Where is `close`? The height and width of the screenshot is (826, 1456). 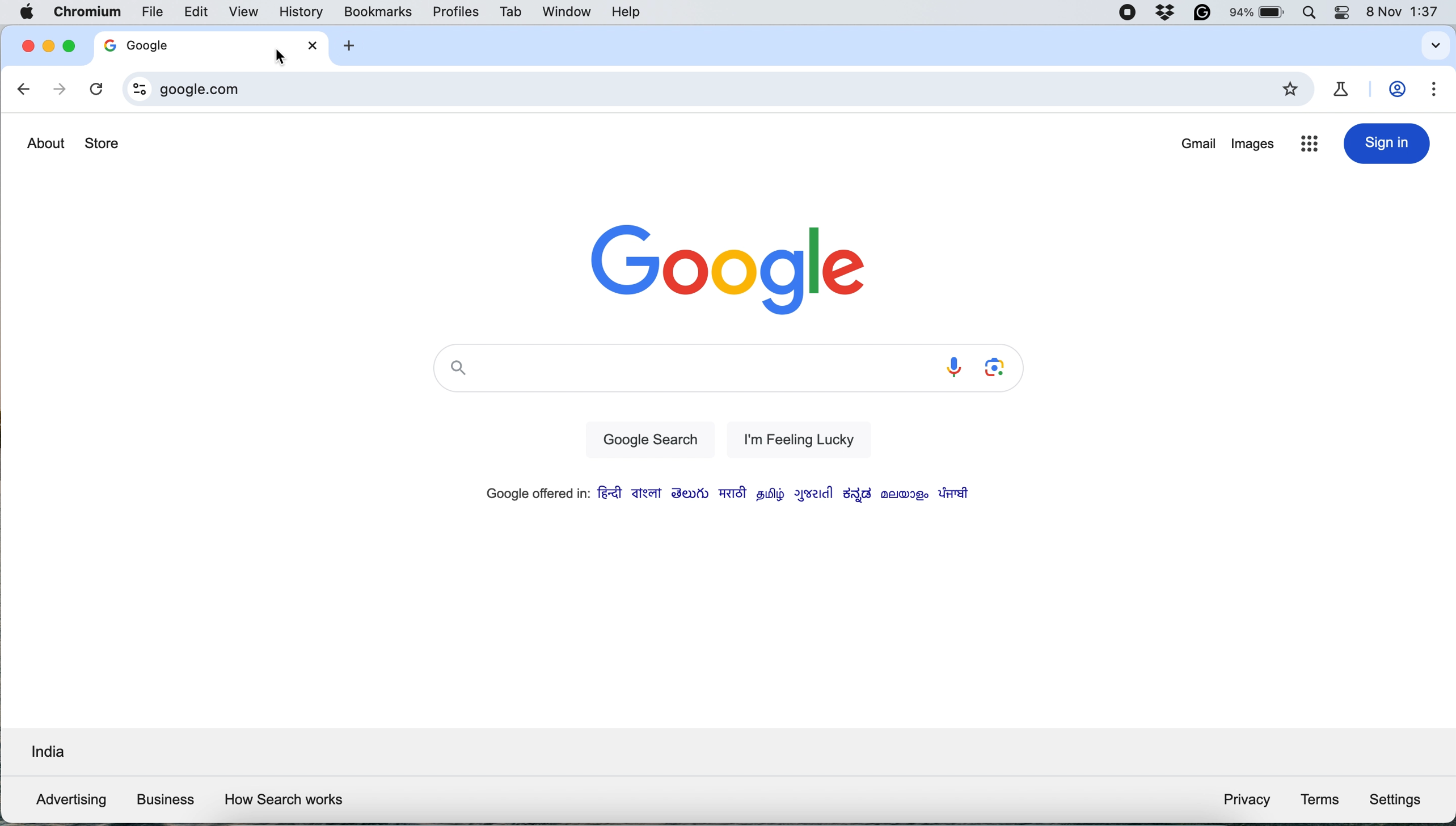 close is located at coordinates (314, 45).